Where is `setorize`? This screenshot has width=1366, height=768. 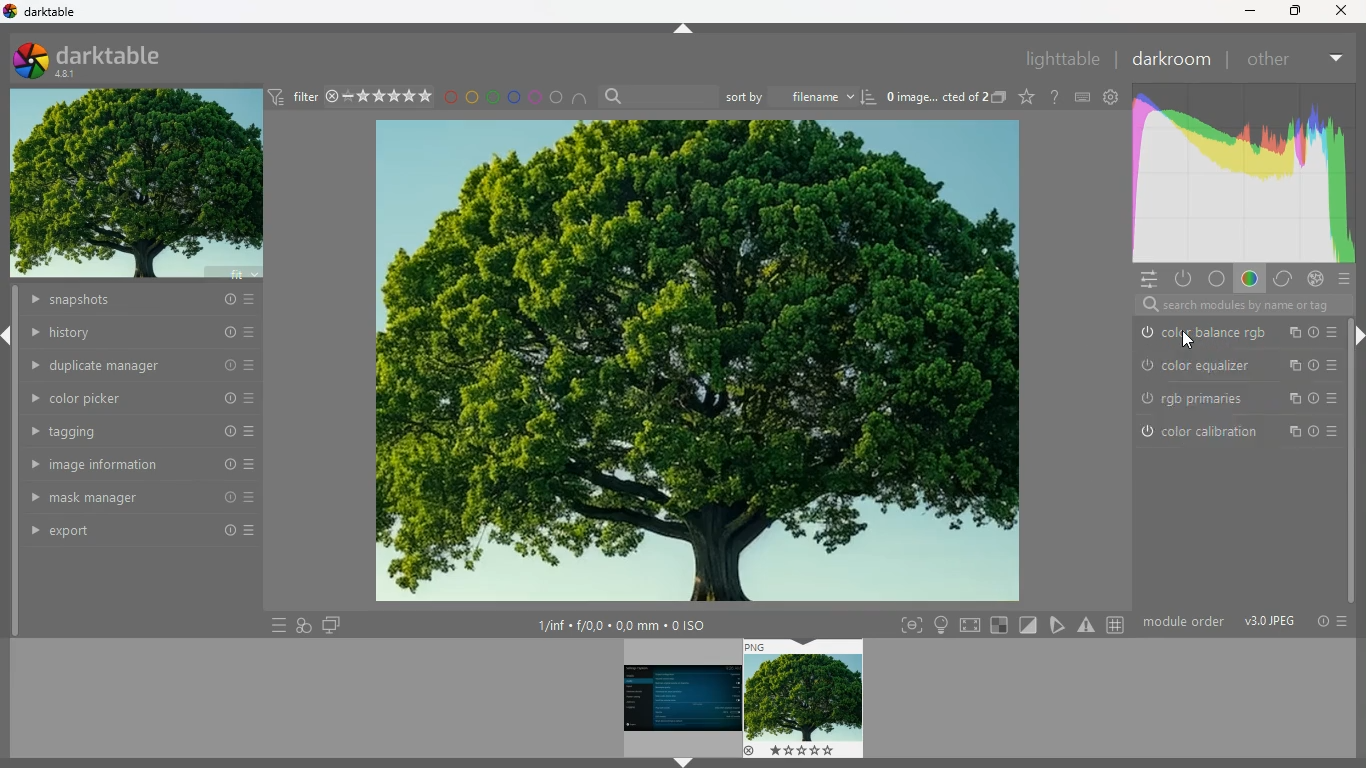 setorize is located at coordinates (1001, 625).